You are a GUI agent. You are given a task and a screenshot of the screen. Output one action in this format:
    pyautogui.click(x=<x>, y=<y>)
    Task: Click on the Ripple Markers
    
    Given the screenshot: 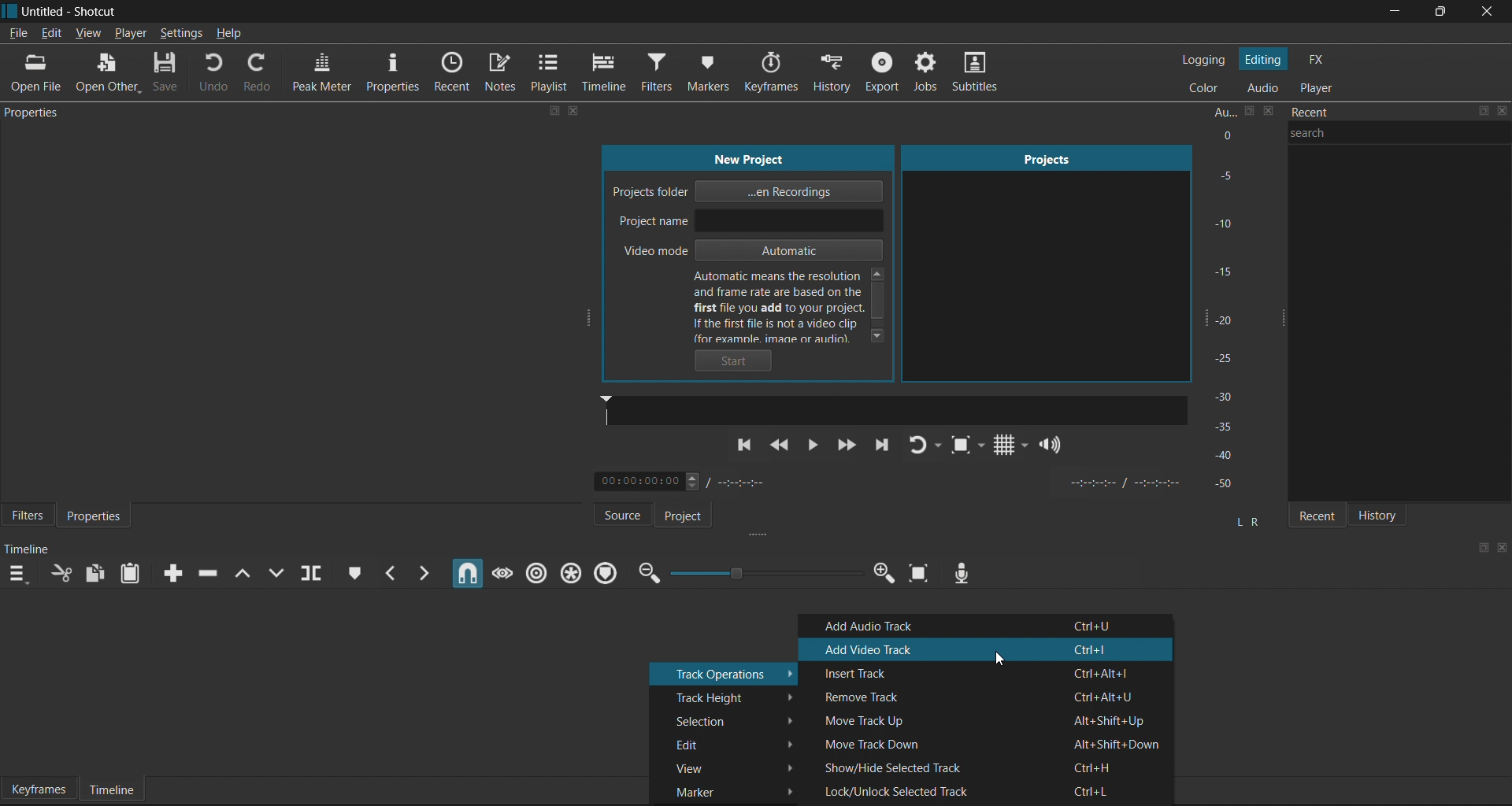 What is the action you would take?
    pyautogui.click(x=609, y=572)
    